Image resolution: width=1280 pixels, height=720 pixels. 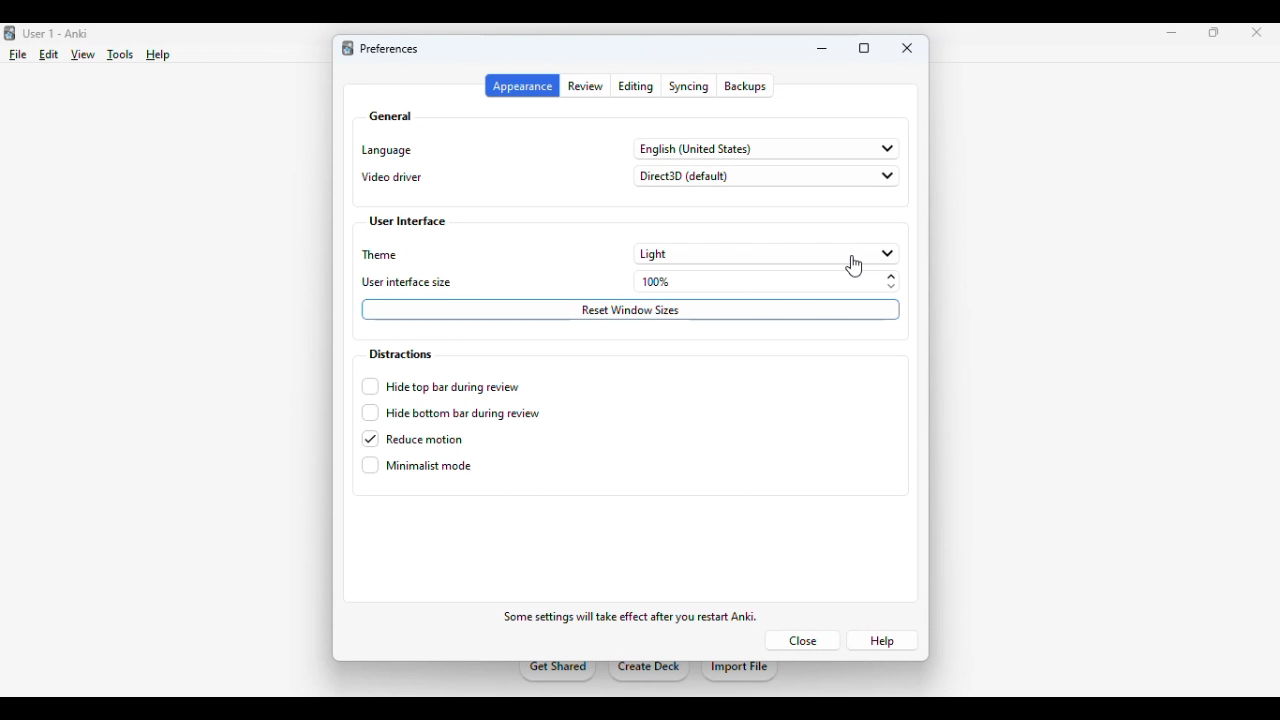 What do you see at coordinates (441, 386) in the screenshot?
I see `hide top bar during review` at bounding box center [441, 386].